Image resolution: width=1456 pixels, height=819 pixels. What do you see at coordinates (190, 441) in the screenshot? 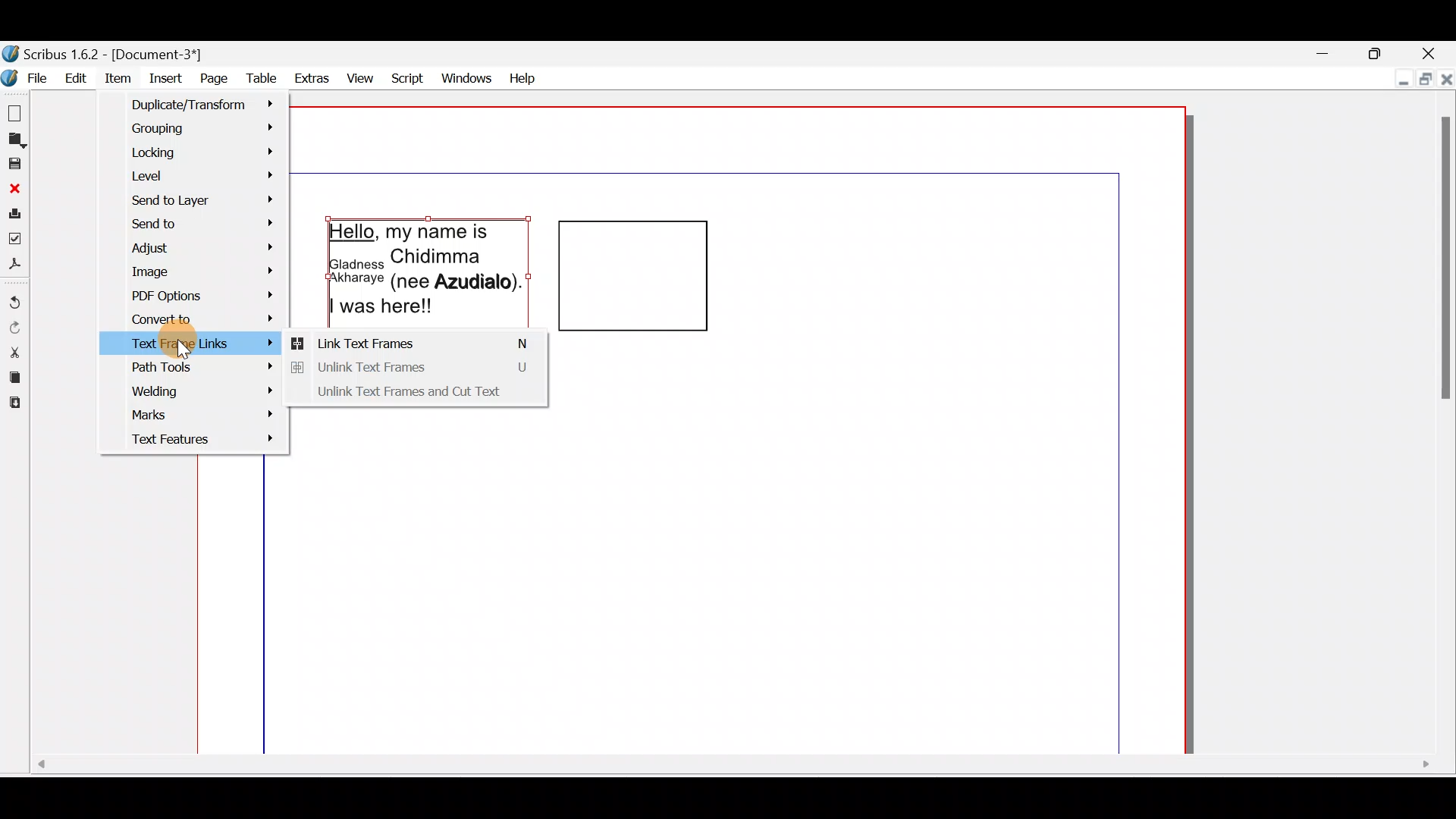
I see `Text features` at bounding box center [190, 441].